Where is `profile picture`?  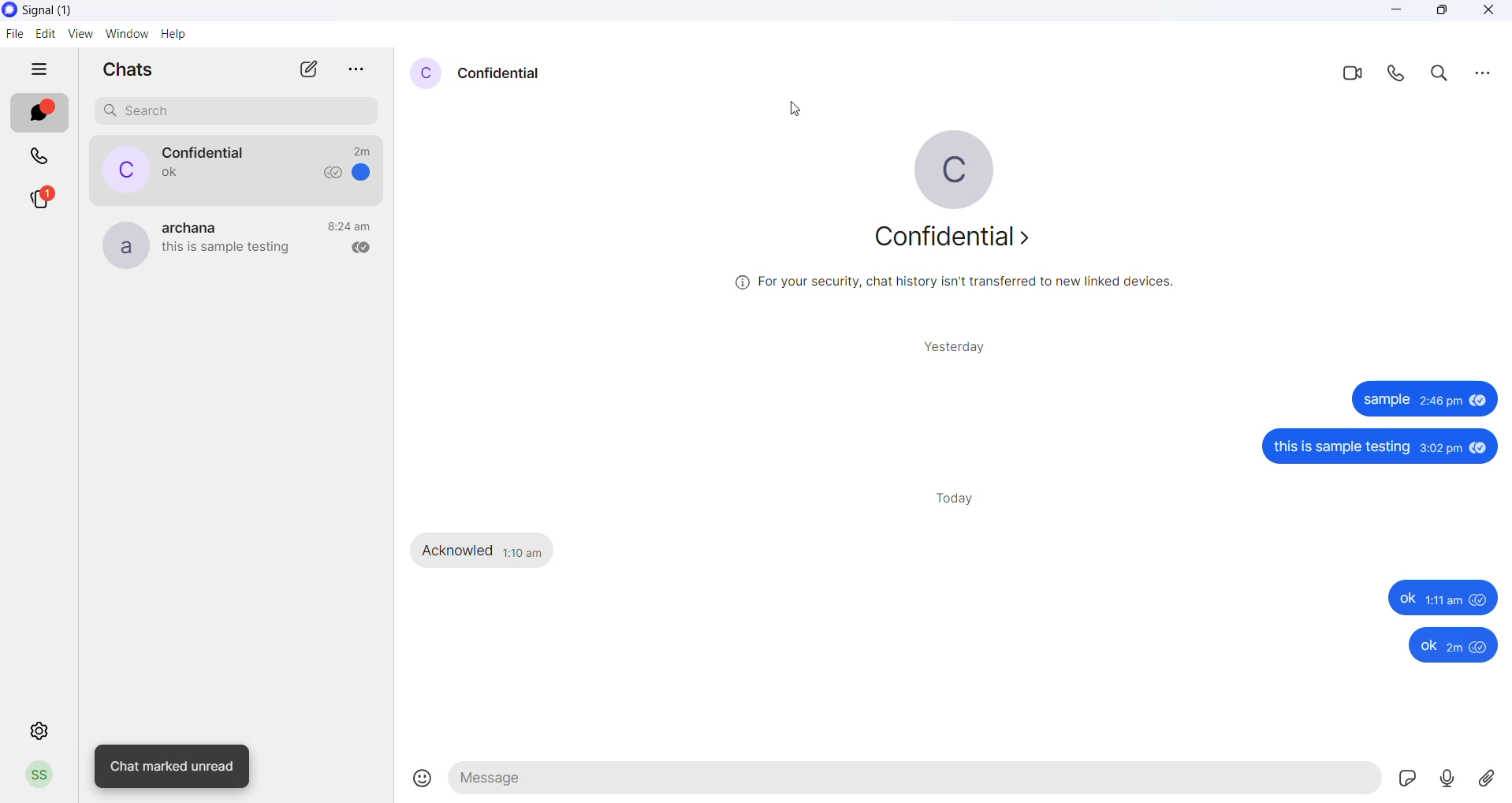
profile picture is located at coordinates (116, 170).